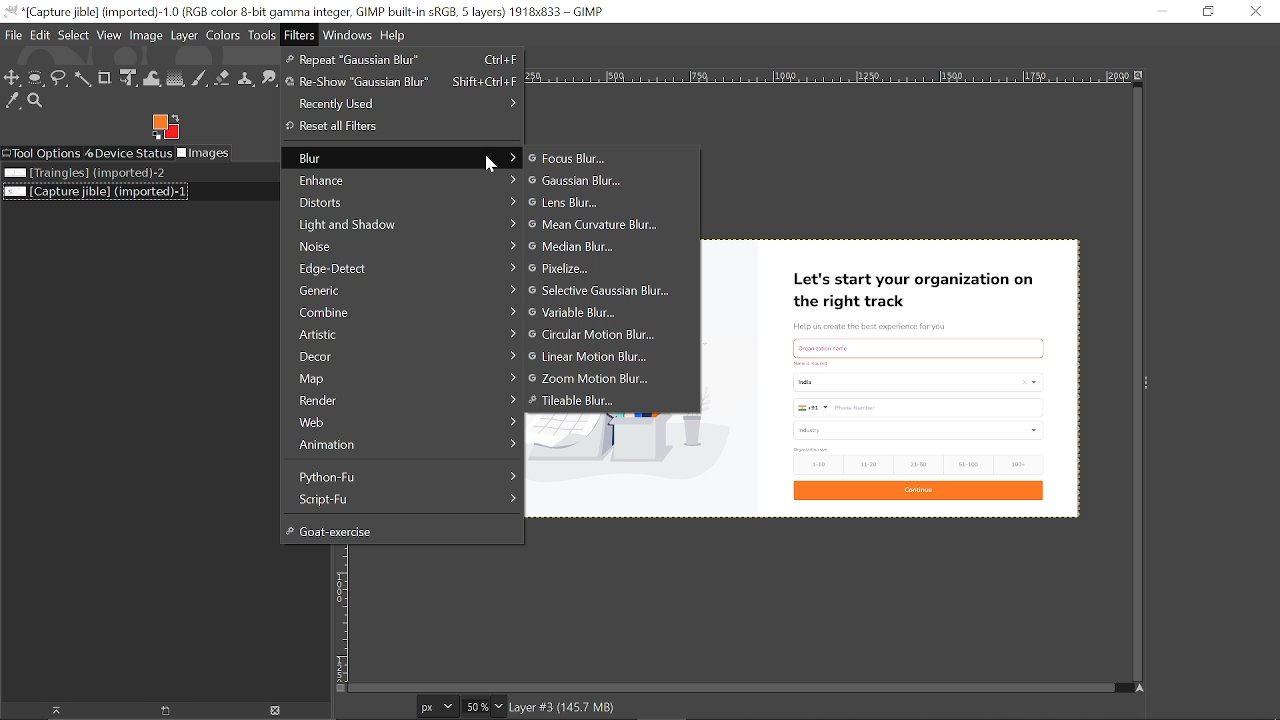 This screenshot has width=1280, height=720. I want to click on Decor, so click(401, 355).